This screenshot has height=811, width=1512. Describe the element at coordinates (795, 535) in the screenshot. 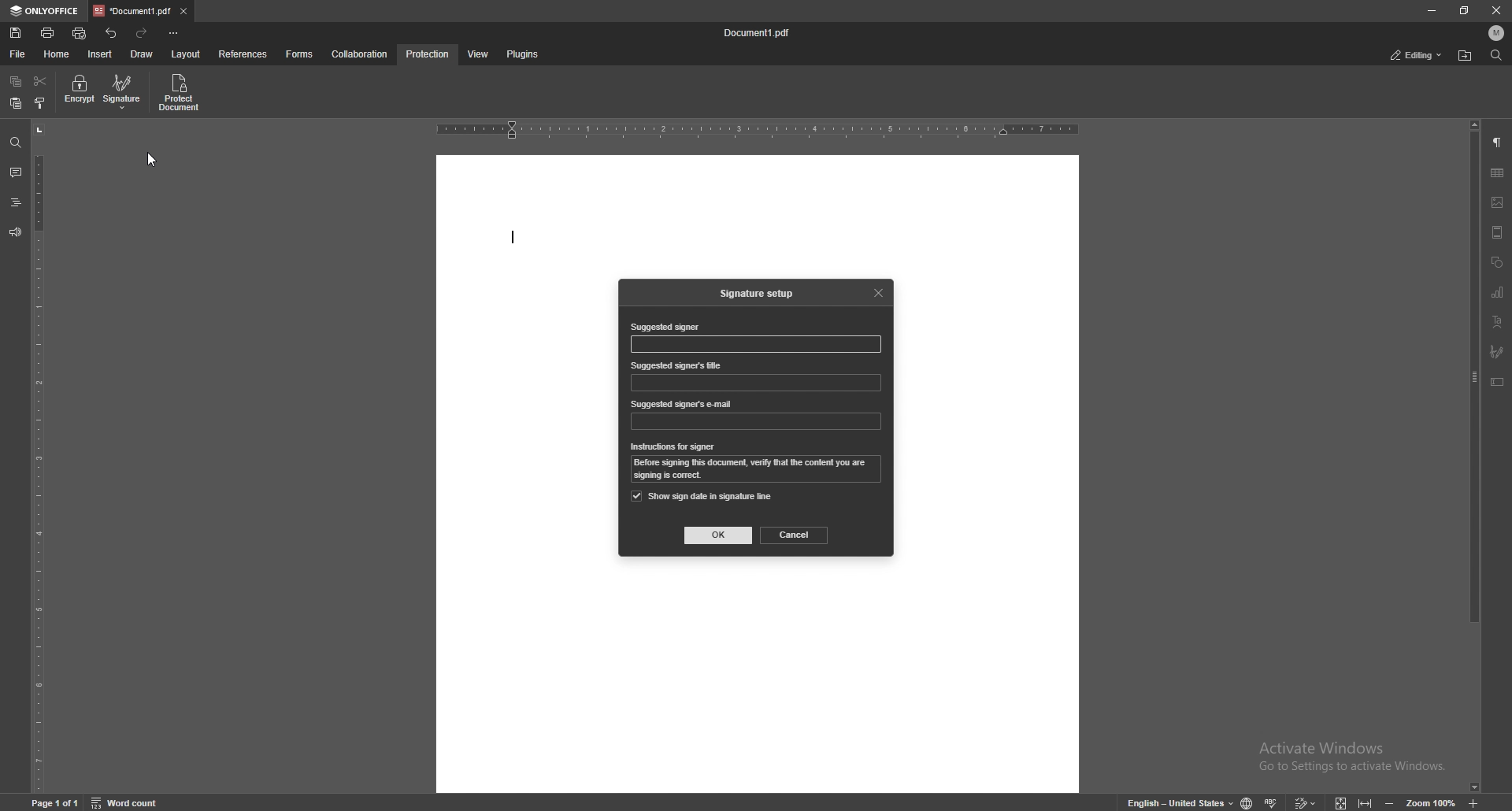

I see `cancel` at that location.